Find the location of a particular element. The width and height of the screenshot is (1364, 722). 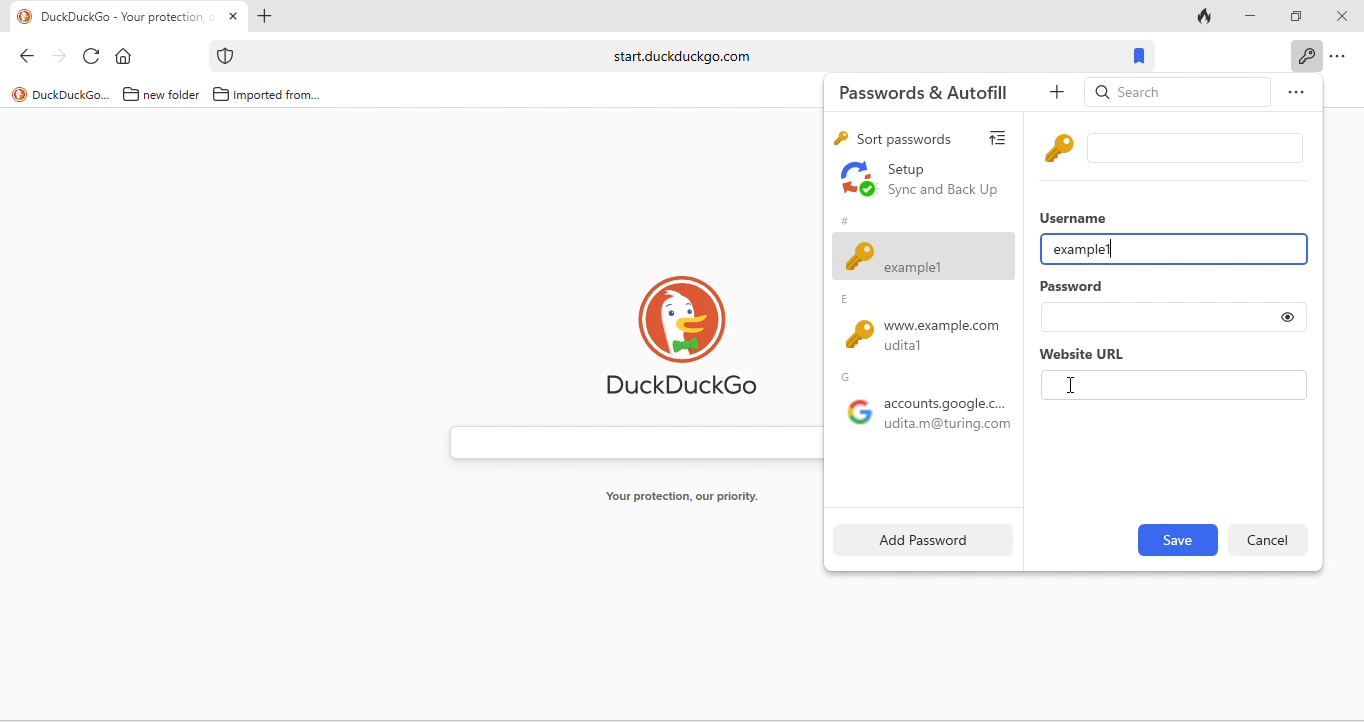

back is located at coordinates (26, 57).